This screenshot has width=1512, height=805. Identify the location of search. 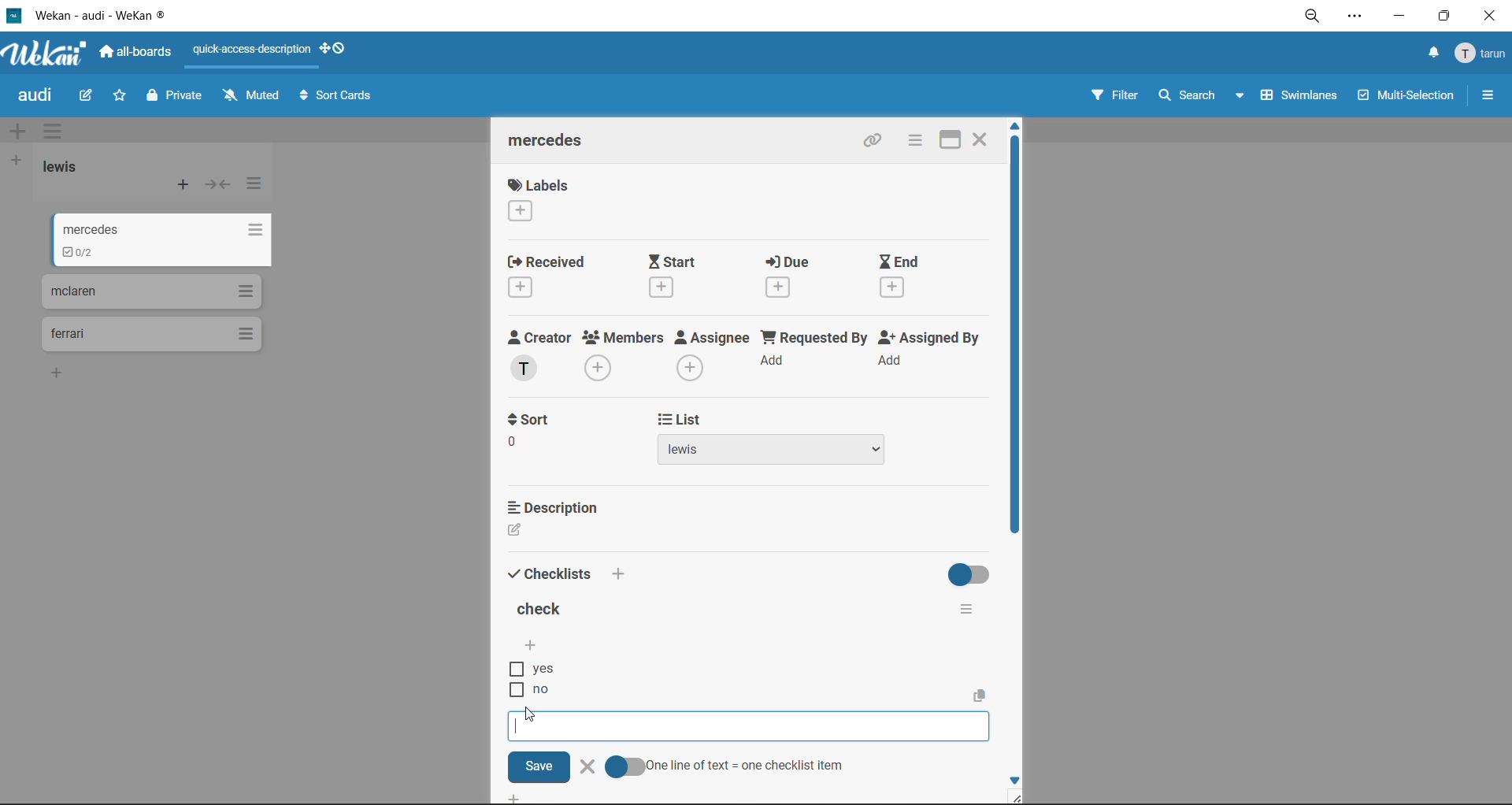
(1203, 95).